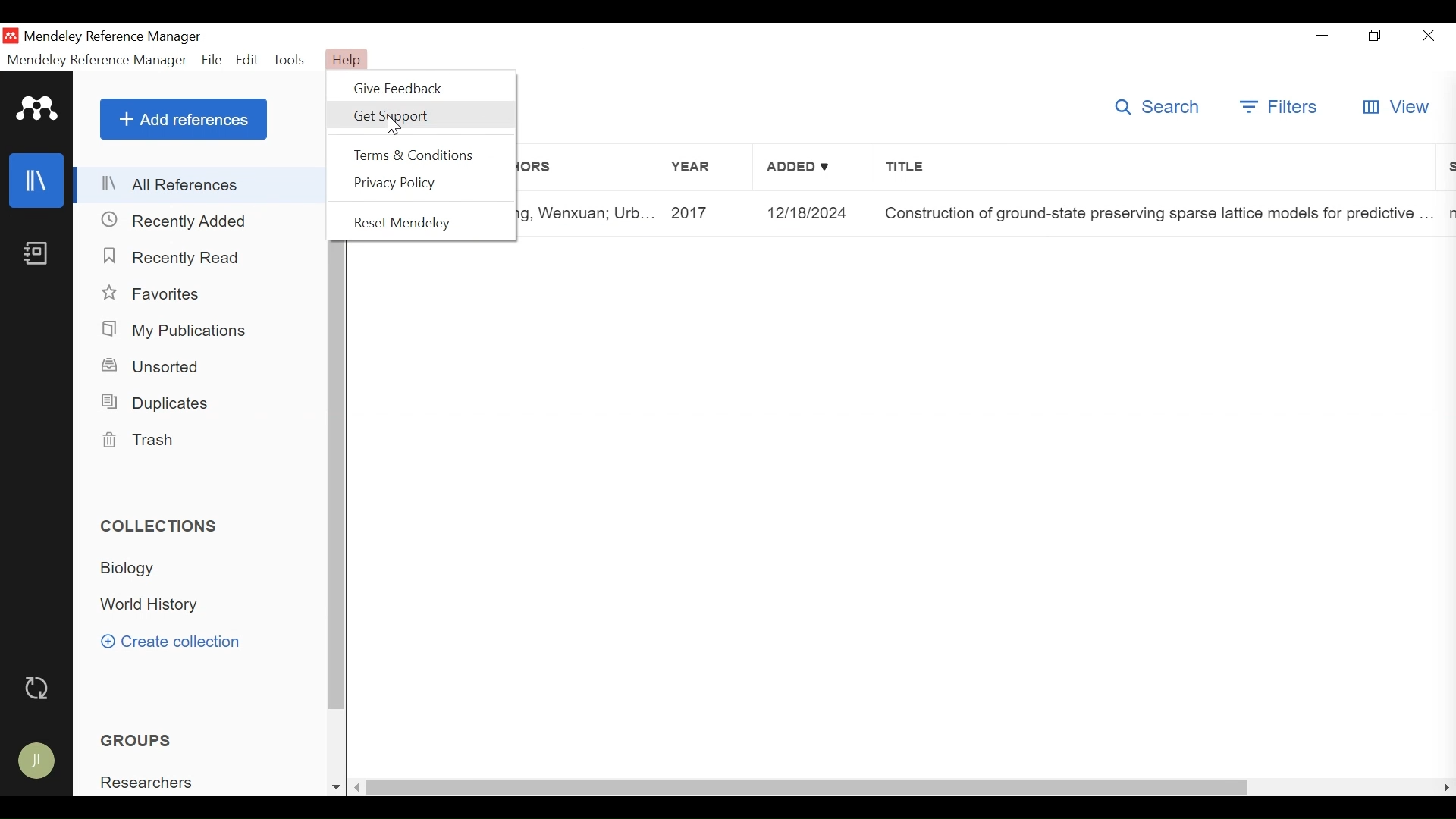 The image size is (1456, 819). Describe the element at coordinates (1156, 214) in the screenshot. I see `Title` at that location.